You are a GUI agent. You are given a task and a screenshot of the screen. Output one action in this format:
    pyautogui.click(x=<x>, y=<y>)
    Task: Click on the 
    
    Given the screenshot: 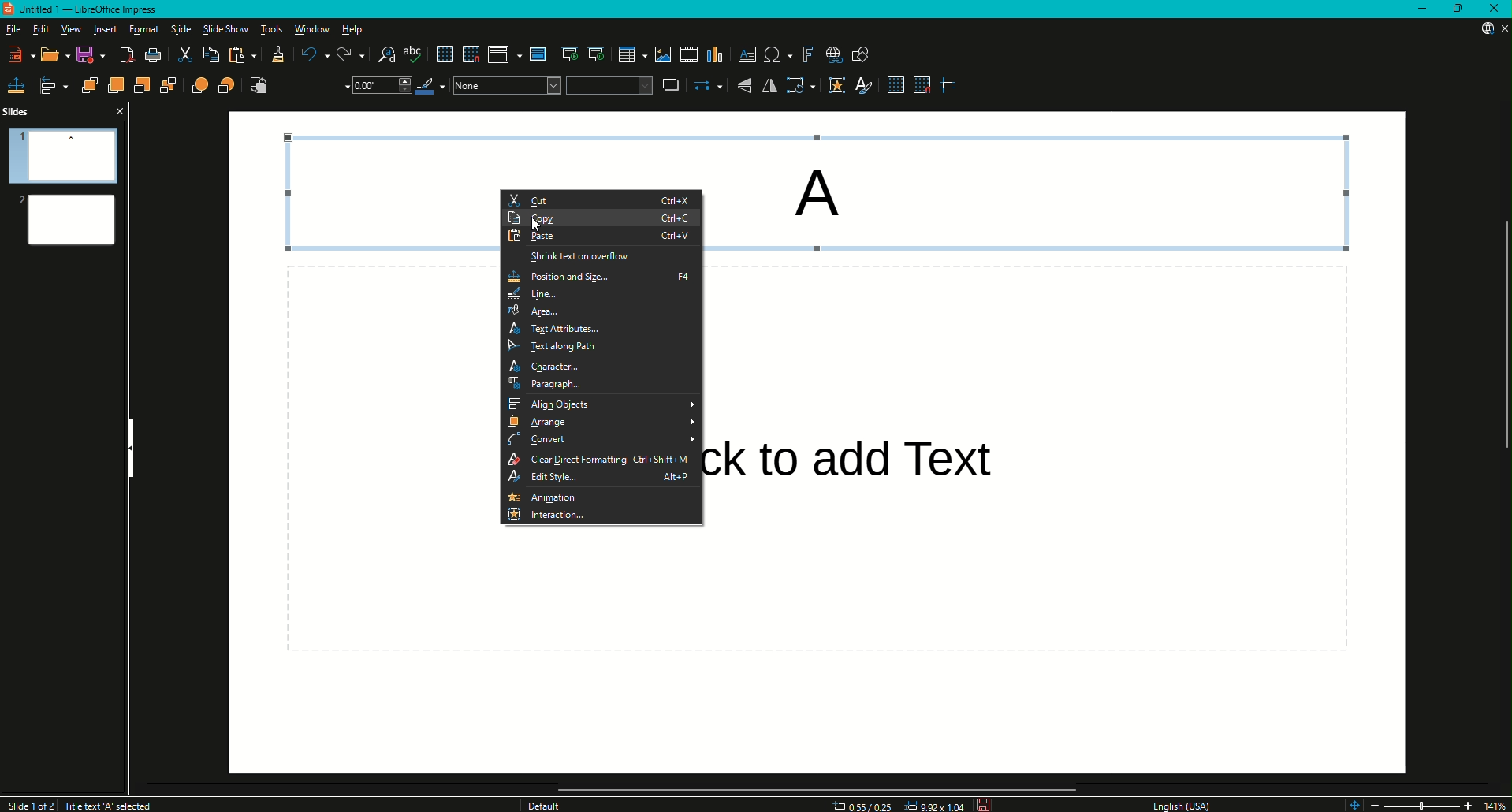 What is the action you would take?
    pyautogui.click(x=858, y=453)
    